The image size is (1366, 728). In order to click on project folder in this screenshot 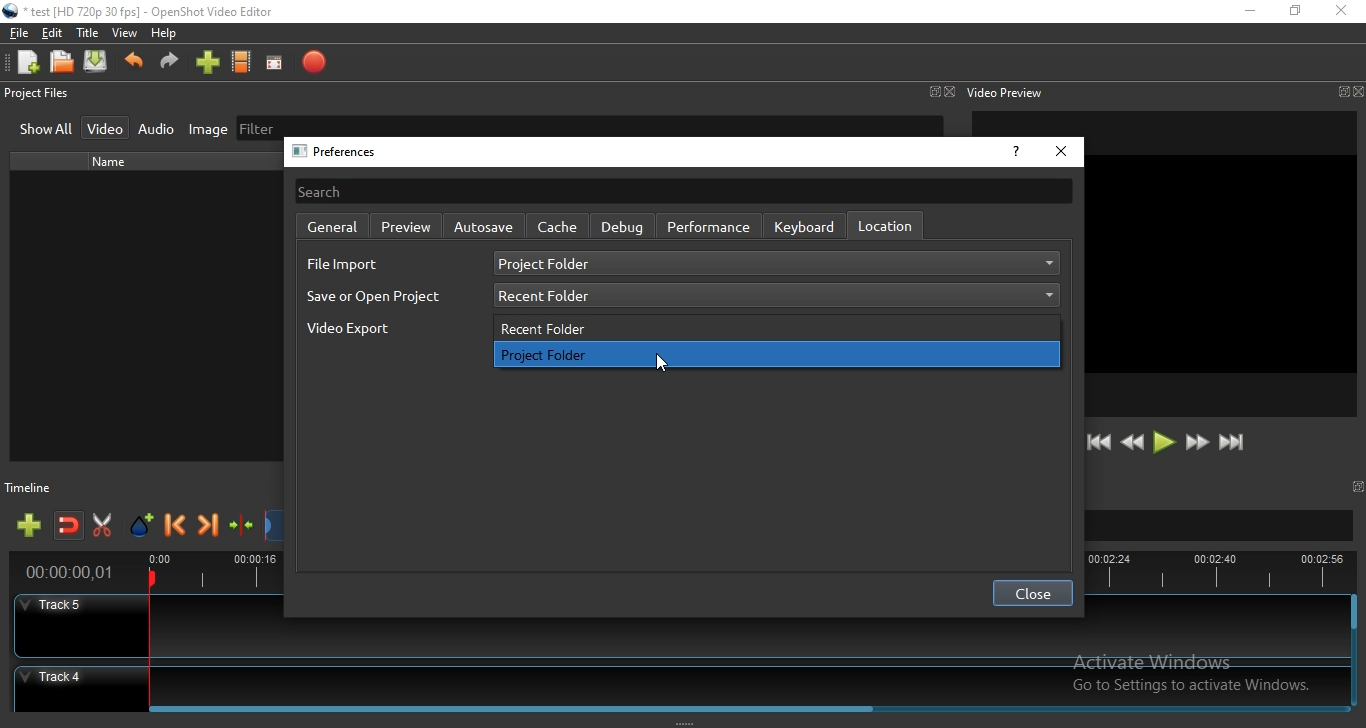, I will do `click(776, 355)`.